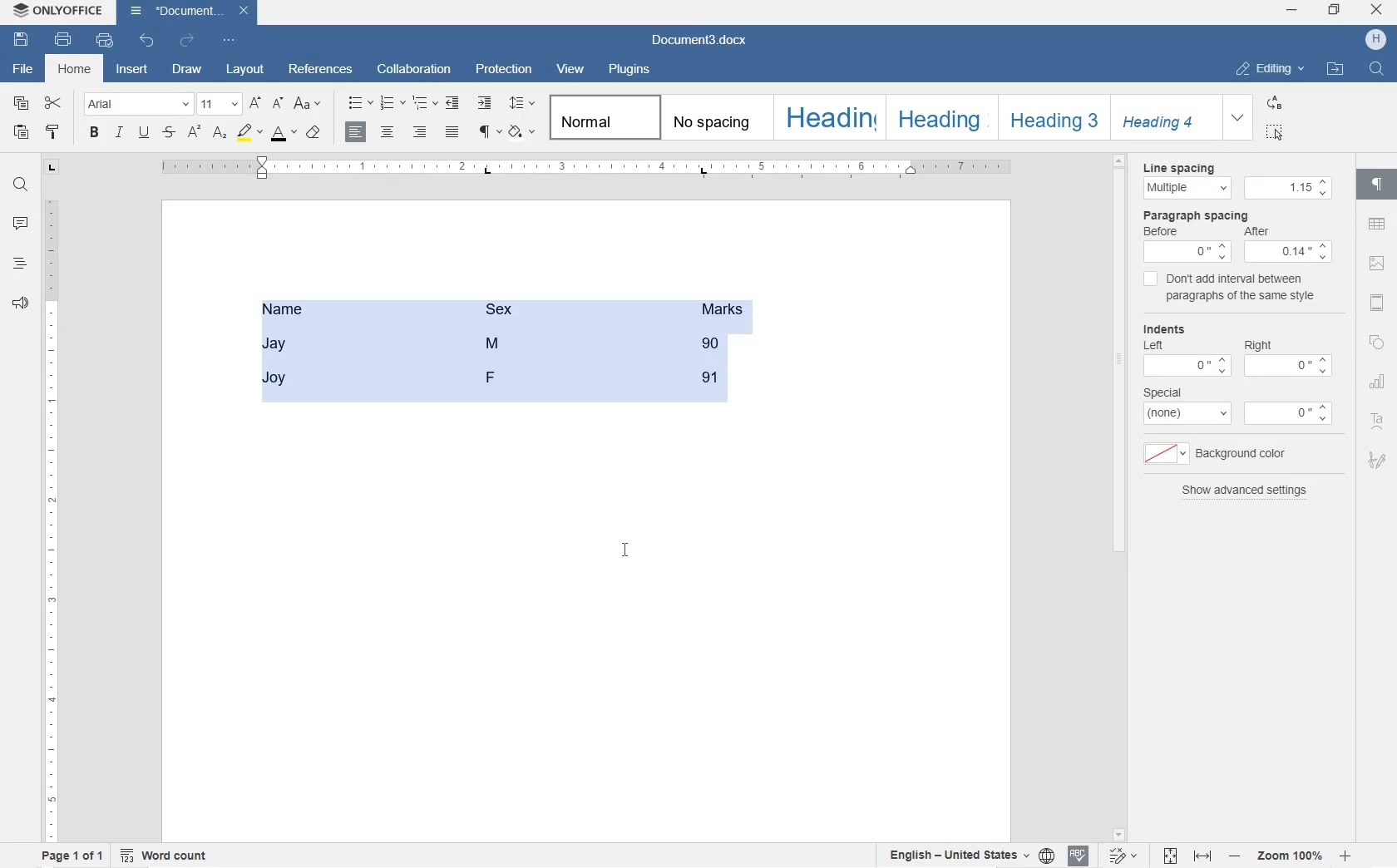  What do you see at coordinates (62, 39) in the screenshot?
I see `PRINT` at bounding box center [62, 39].